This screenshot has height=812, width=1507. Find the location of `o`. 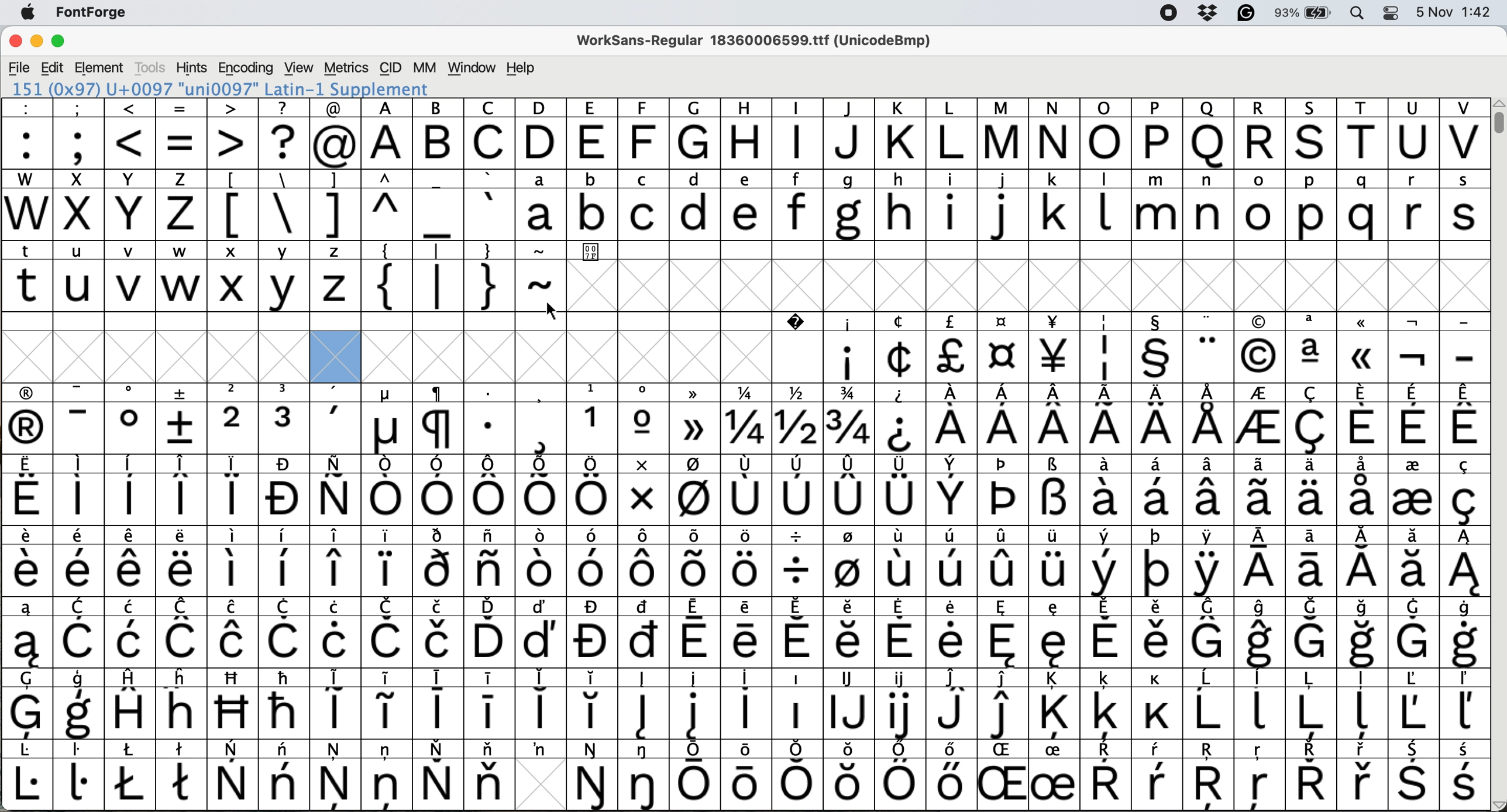

o is located at coordinates (1261, 207).